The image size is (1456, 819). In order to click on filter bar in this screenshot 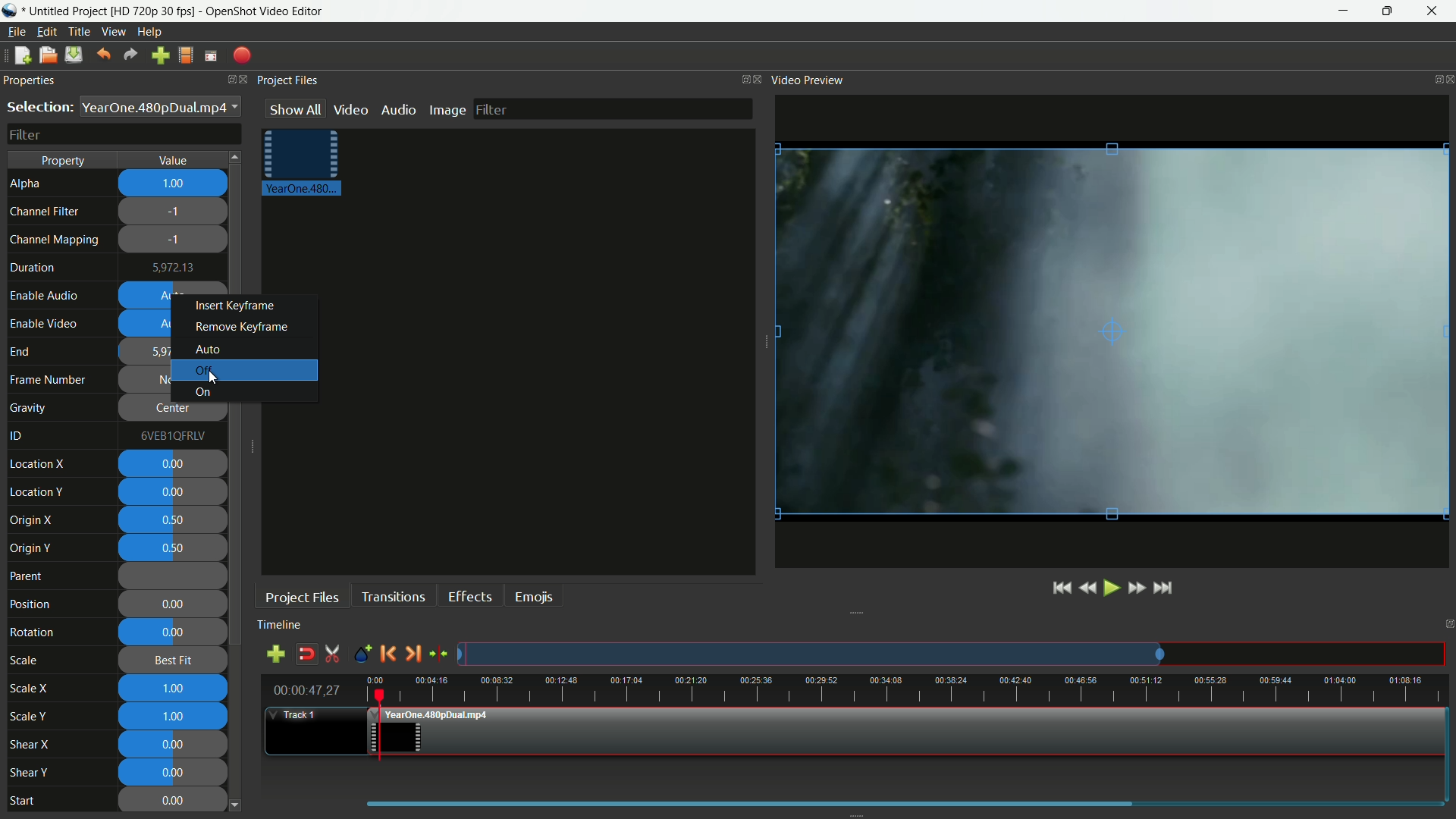, I will do `click(124, 134)`.